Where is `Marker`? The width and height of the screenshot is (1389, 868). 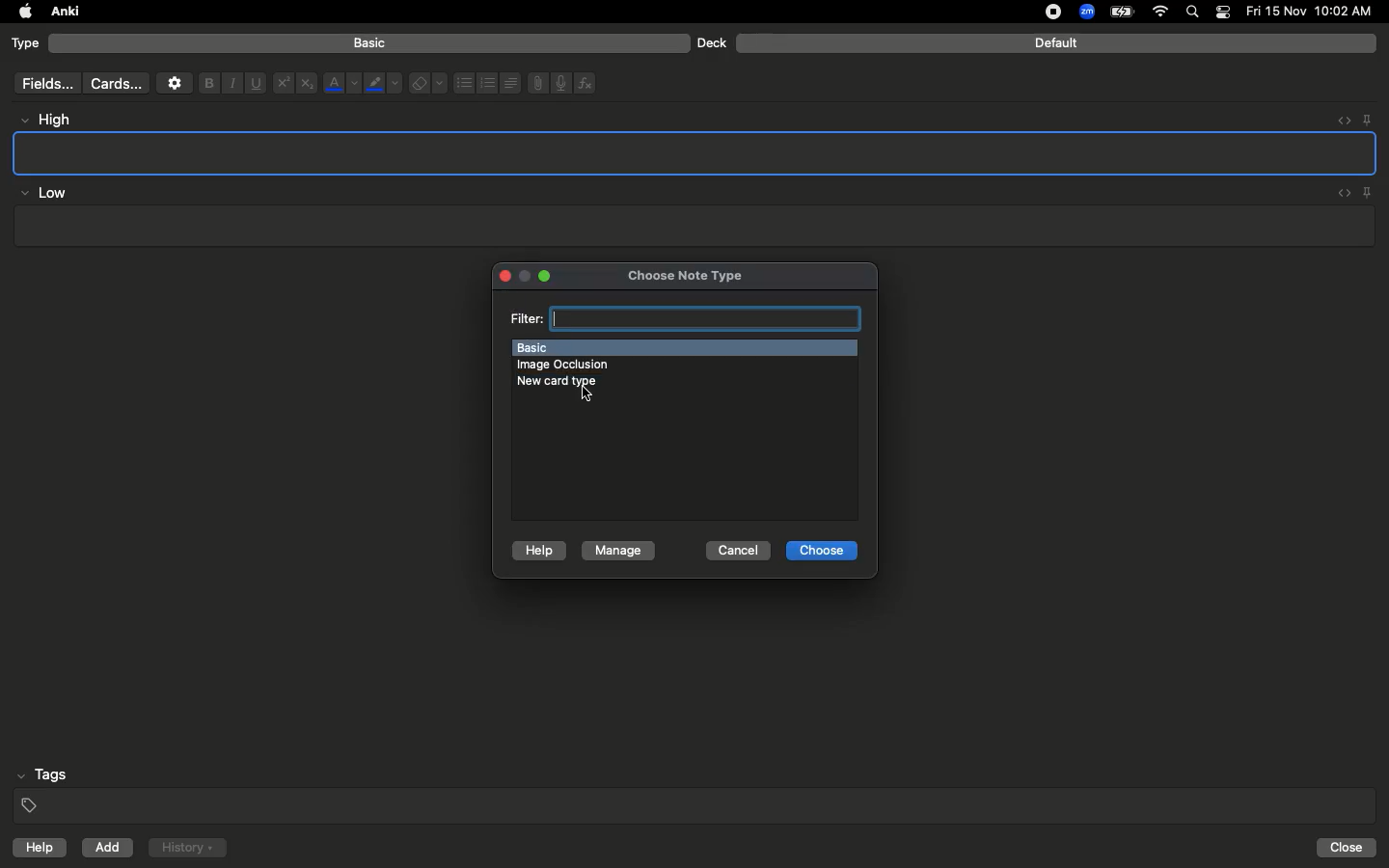
Marker is located at coordinates (383, 85).